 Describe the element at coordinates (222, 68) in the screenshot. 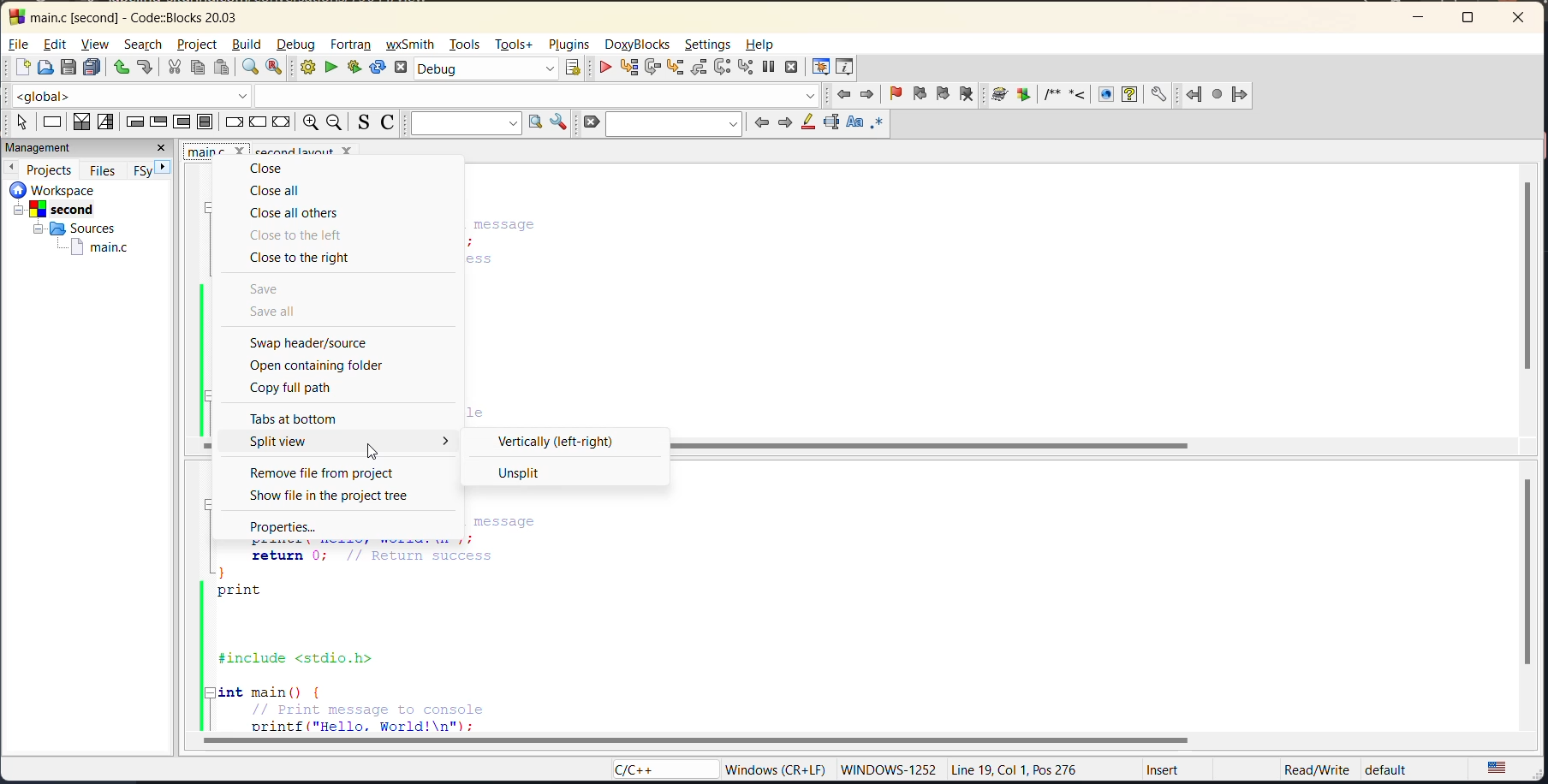

I see `paste` at that location.